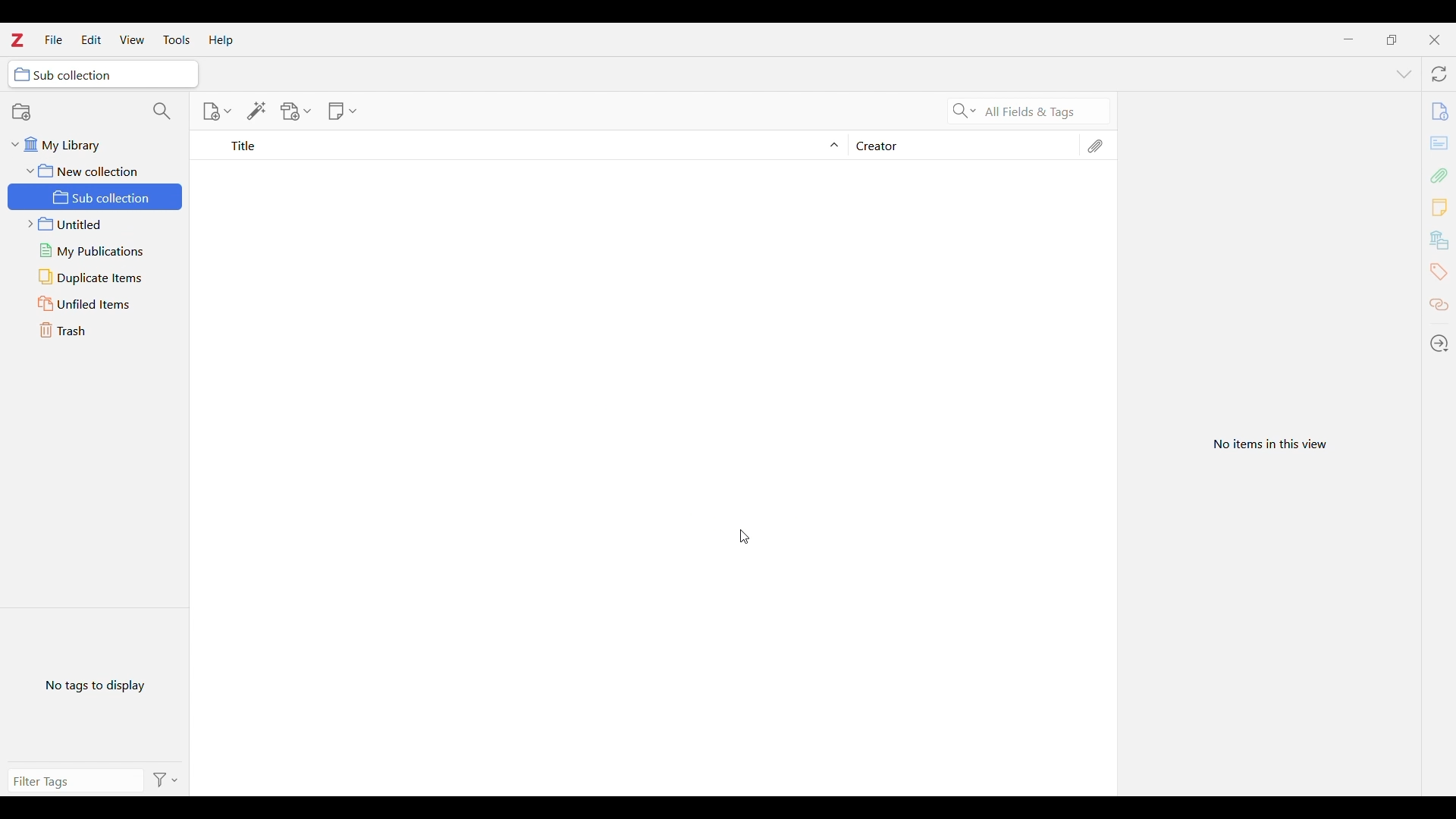 The width and height of the screenshot is (1456, 819). I want to click on File menu, so click(54, 39).